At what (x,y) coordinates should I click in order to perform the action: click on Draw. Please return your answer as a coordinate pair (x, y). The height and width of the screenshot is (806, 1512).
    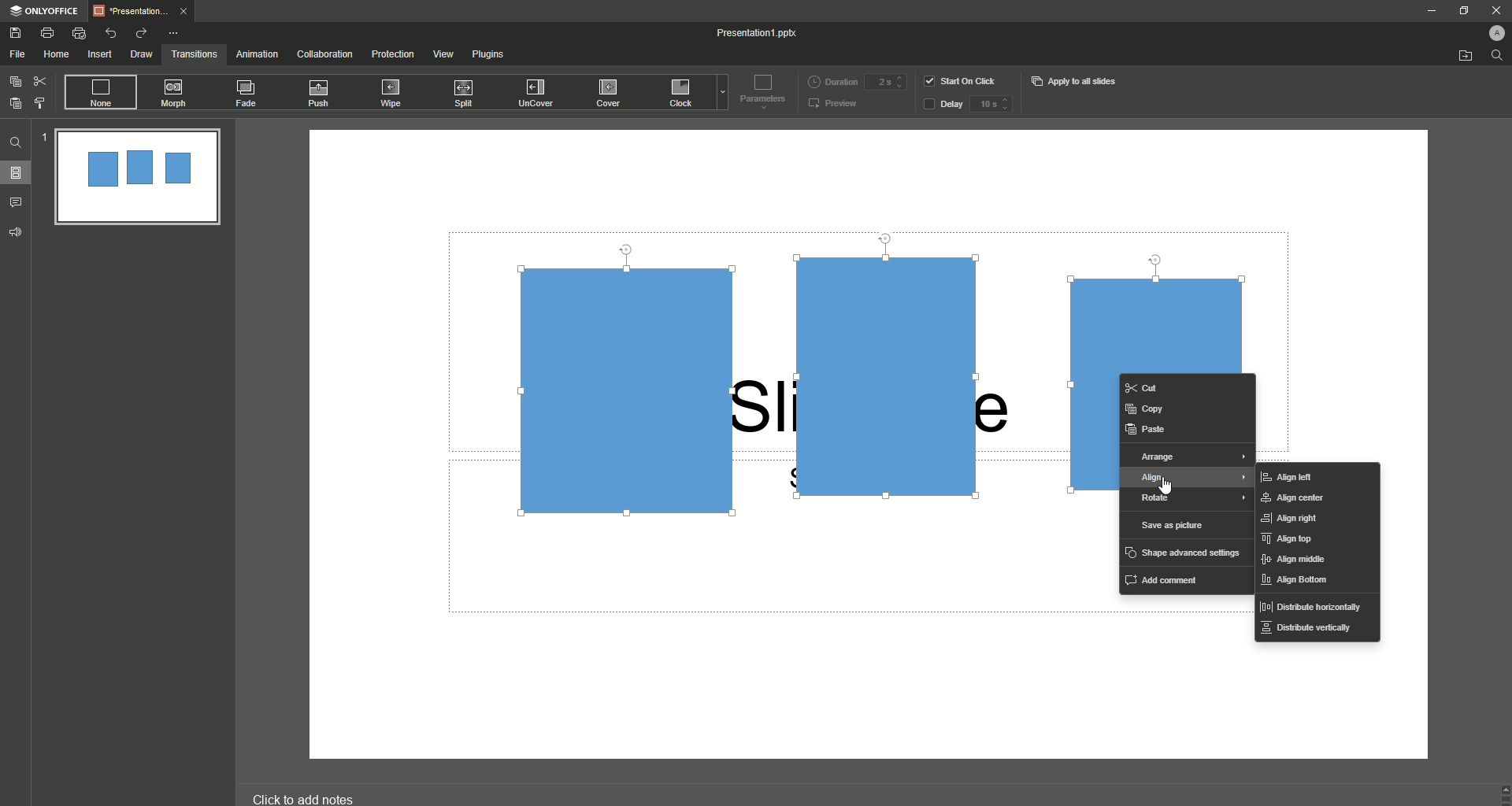
    Looking at the image, I should click on (142, 54).